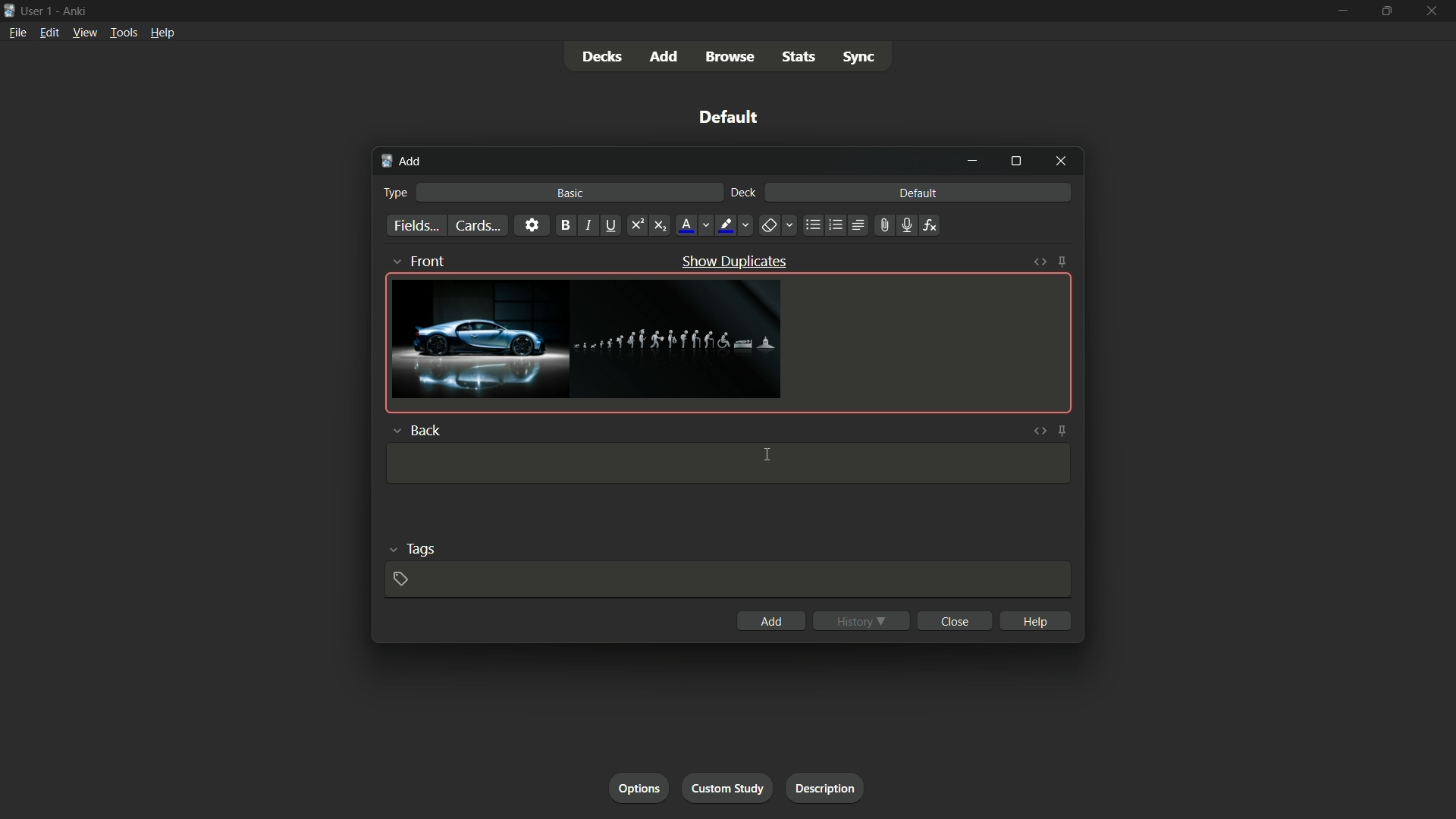 The height and width of the screenshot is (819, 1456). I want to click on toggle html editor, so click(1039, 431).